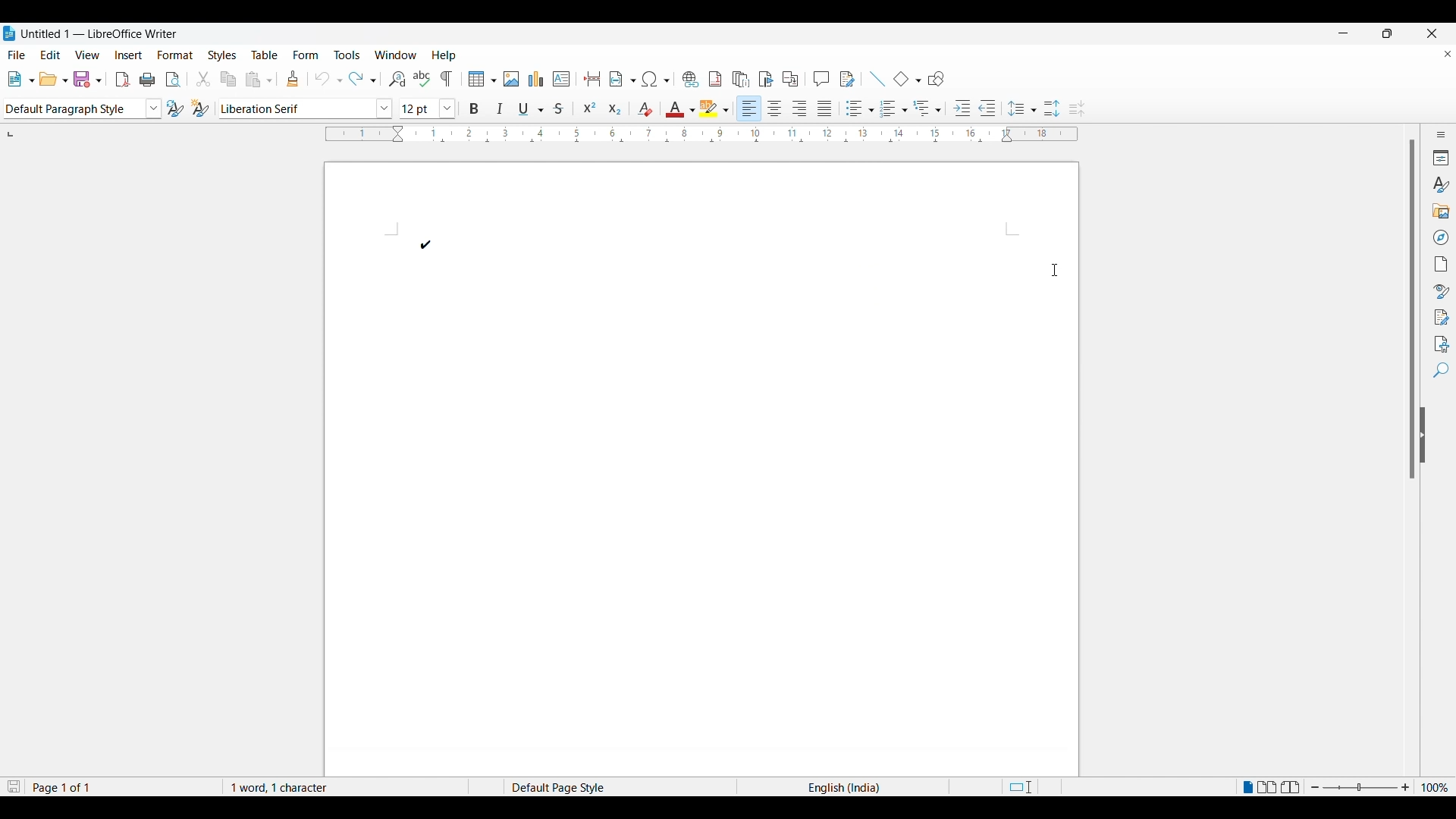 The image size is (1456, 819). Describe the element at coordinates (396, 53) in the screenshot. I see `Window` at that location.